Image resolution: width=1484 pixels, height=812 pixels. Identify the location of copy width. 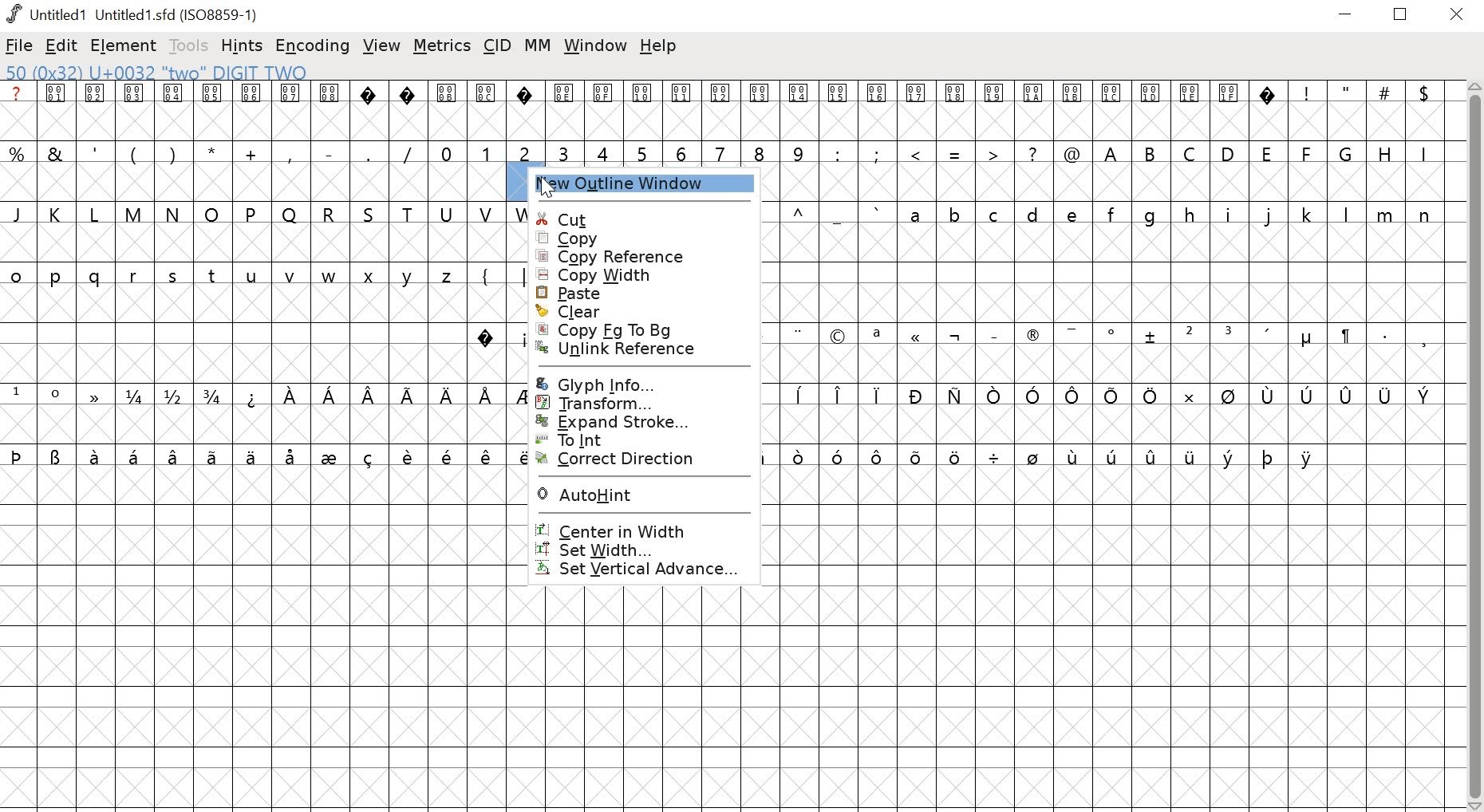
(641, 275).